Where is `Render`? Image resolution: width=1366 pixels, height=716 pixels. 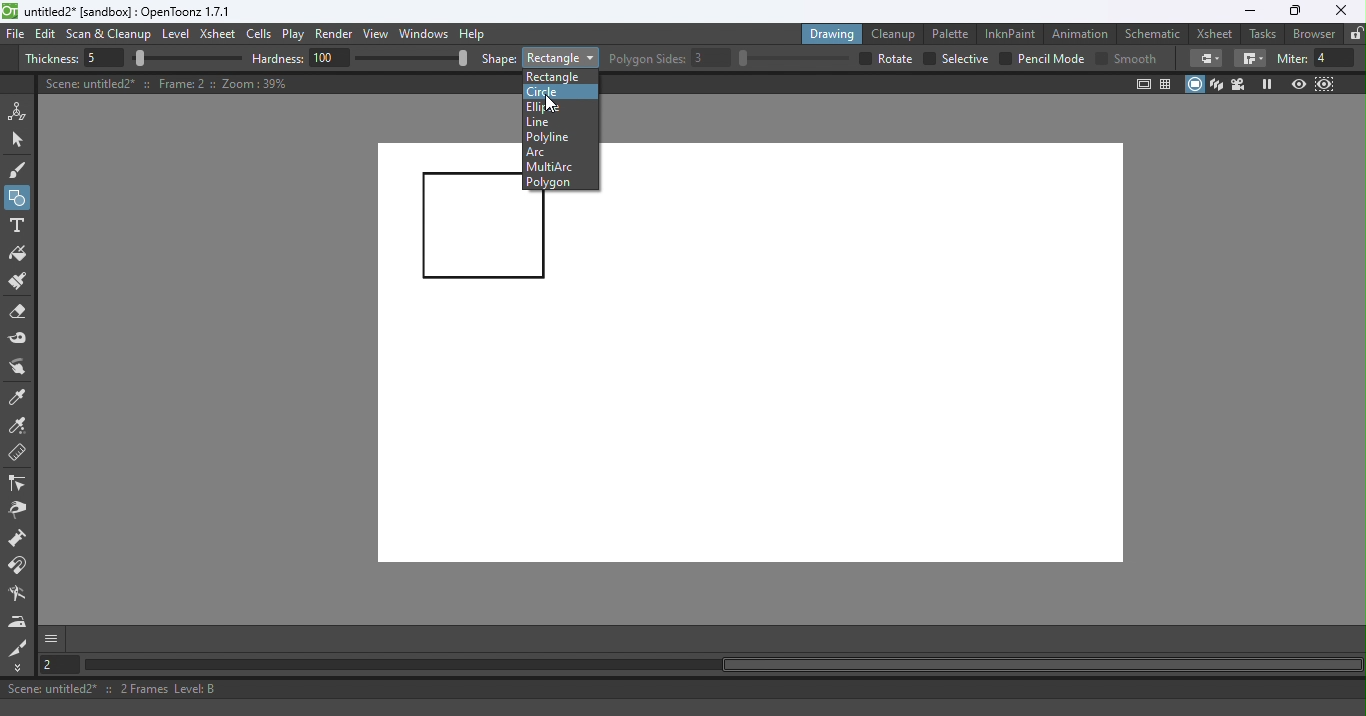
Render is located at coordinates (337, 35).